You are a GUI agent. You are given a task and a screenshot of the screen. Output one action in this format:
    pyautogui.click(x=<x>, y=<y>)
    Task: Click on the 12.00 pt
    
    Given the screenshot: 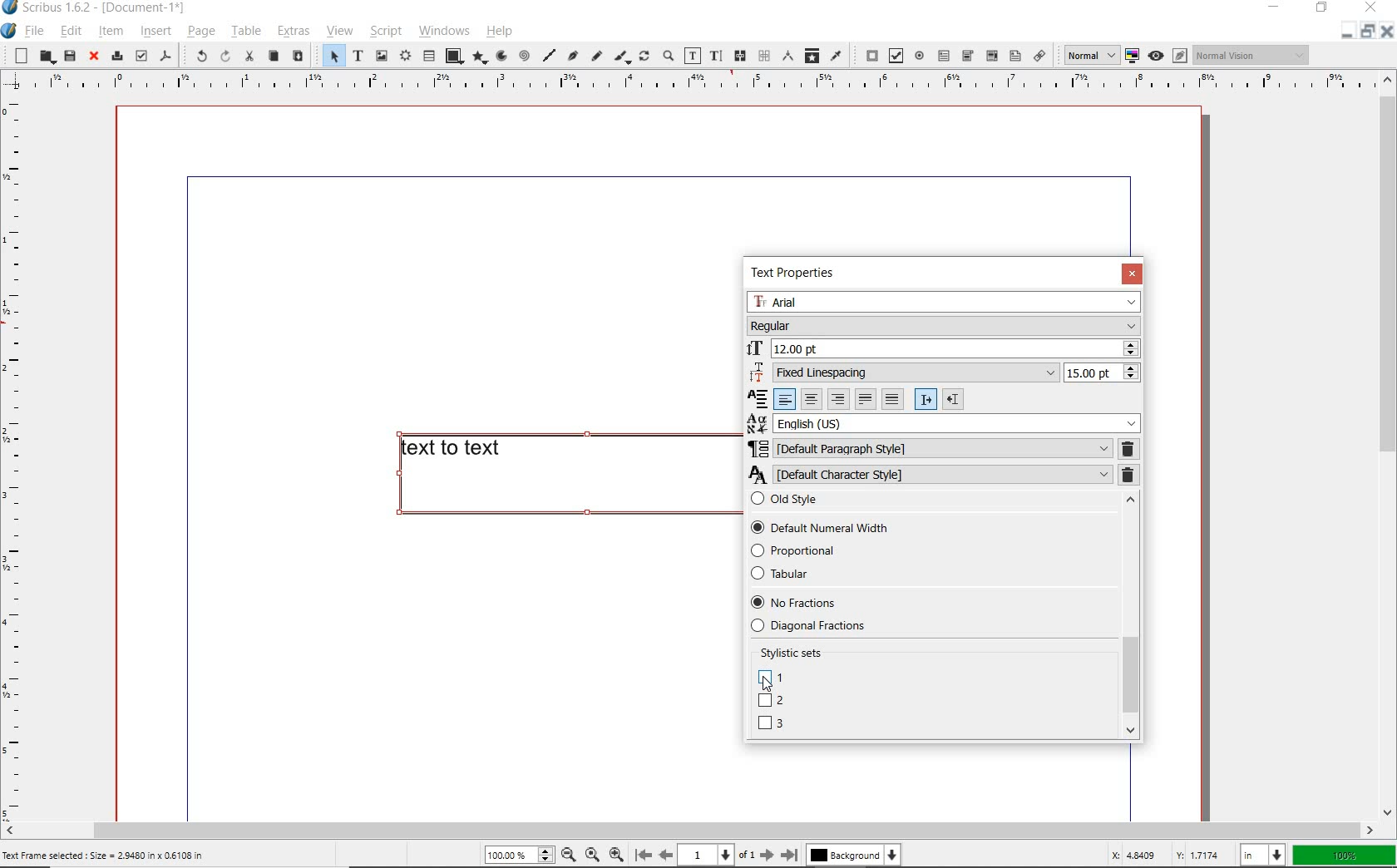 What is the action you would take?
    pyautogui.click(x=942, y=349)
    